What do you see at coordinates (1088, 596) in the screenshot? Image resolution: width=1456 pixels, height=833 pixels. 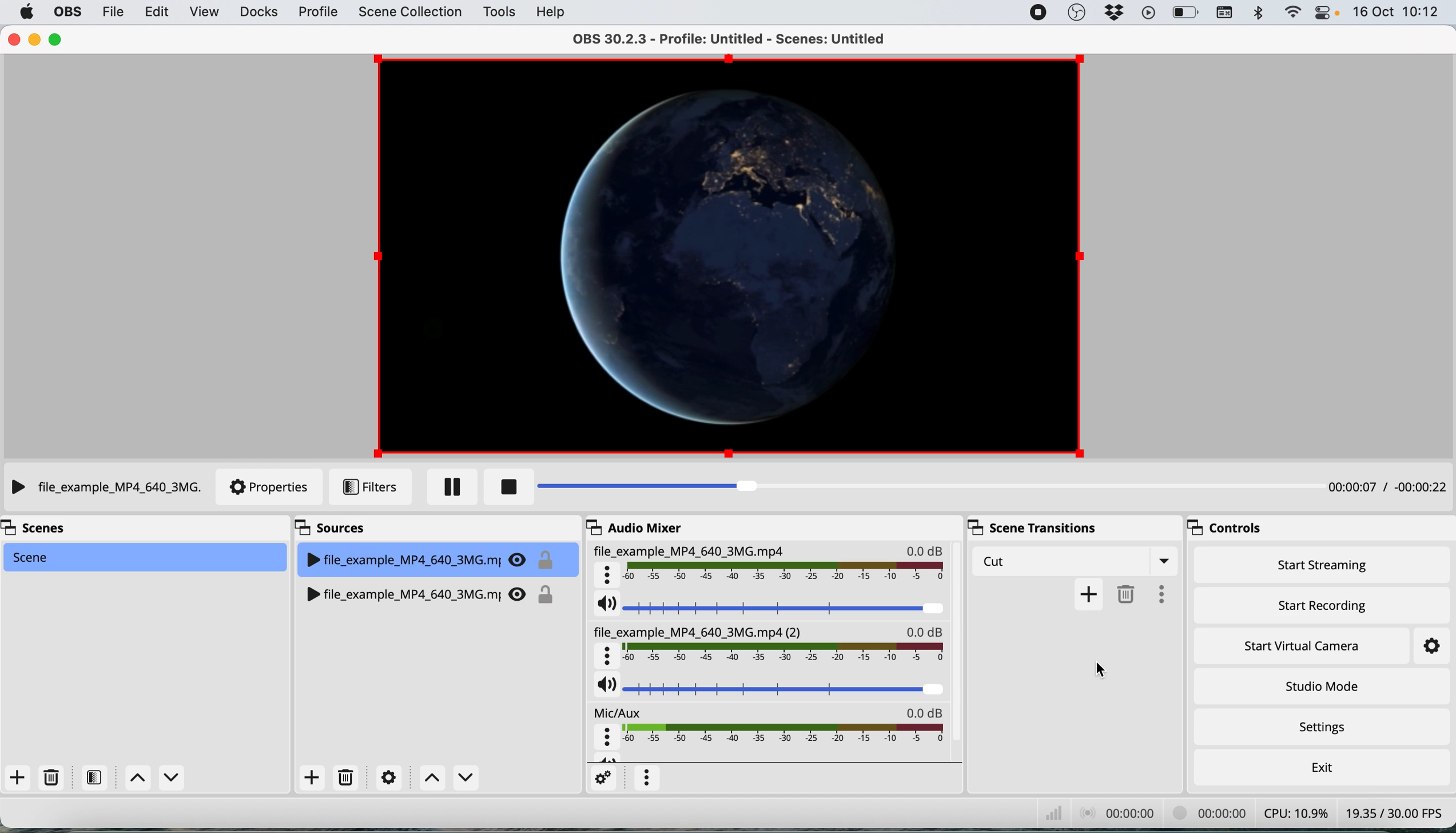 I see `add transition` at bounding box center [1088, 596].